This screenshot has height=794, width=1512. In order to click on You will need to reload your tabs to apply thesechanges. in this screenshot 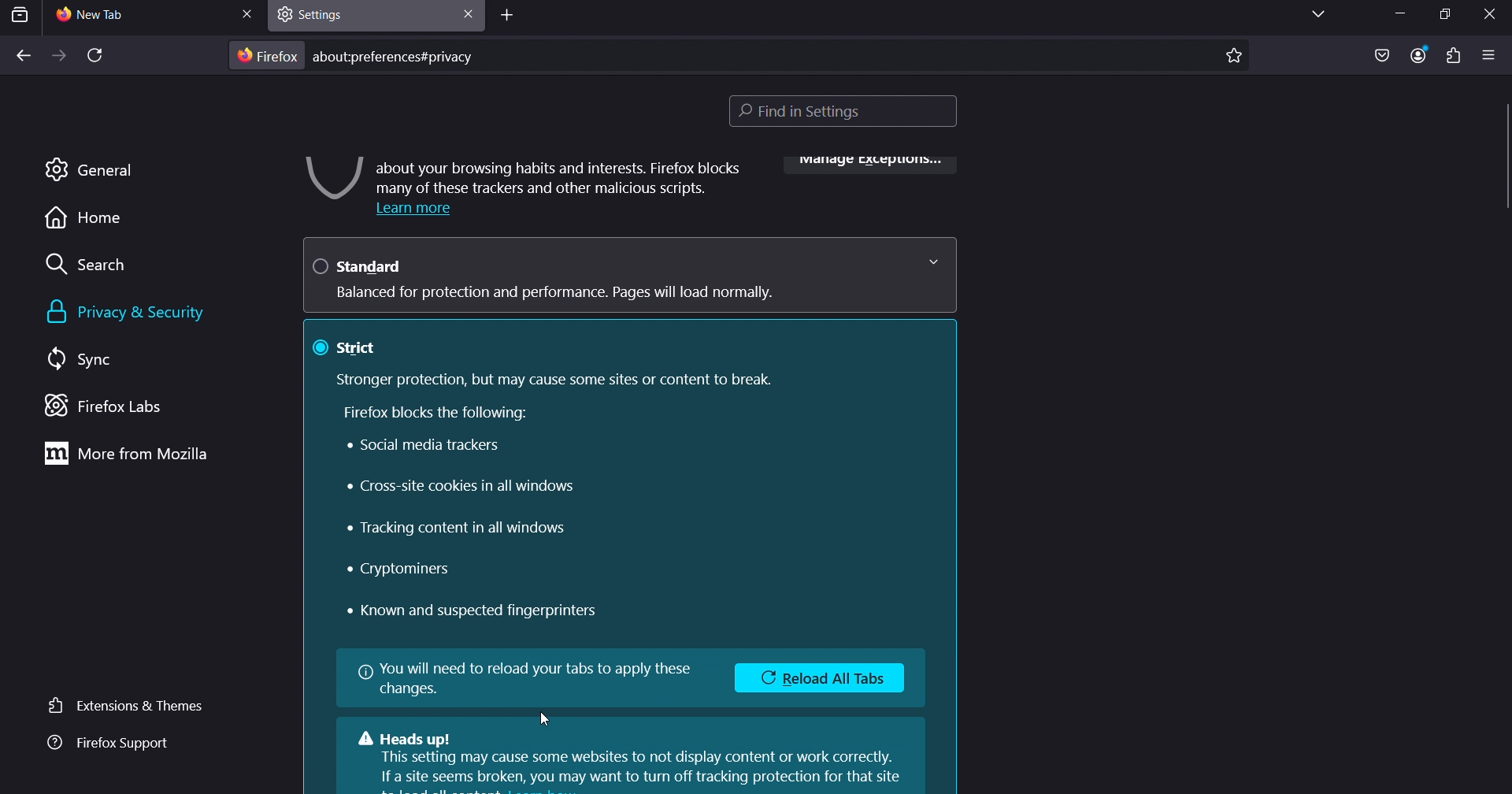, I will do `click(521, 677)`.